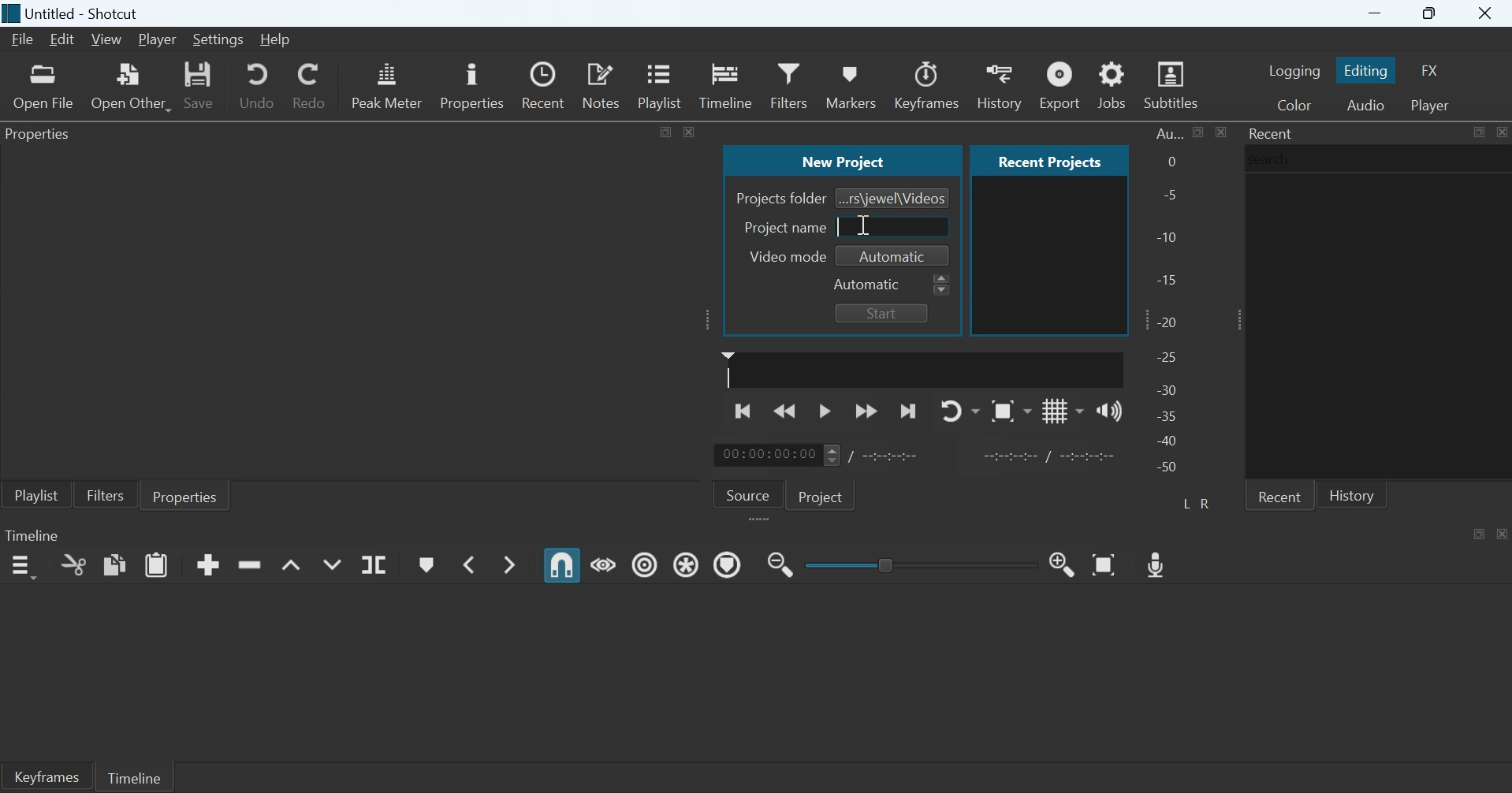  What do you see at coordinates (200, 85) in the screenshot?
I see `Save project as MLT XML file` at bounding box center [200, 85].